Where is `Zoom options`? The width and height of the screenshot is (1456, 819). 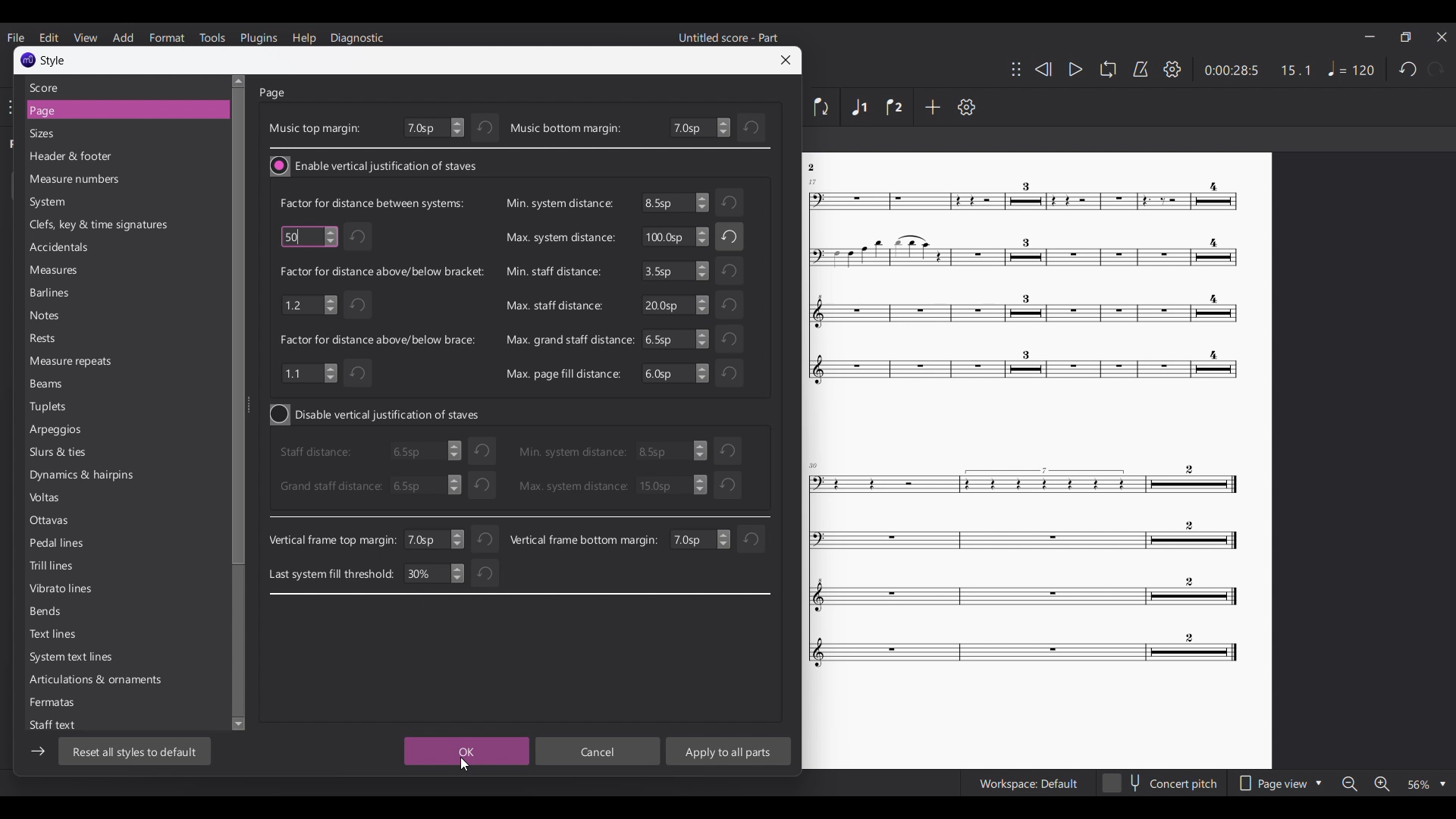 Zoom options is located at coordinates (1427, 784).